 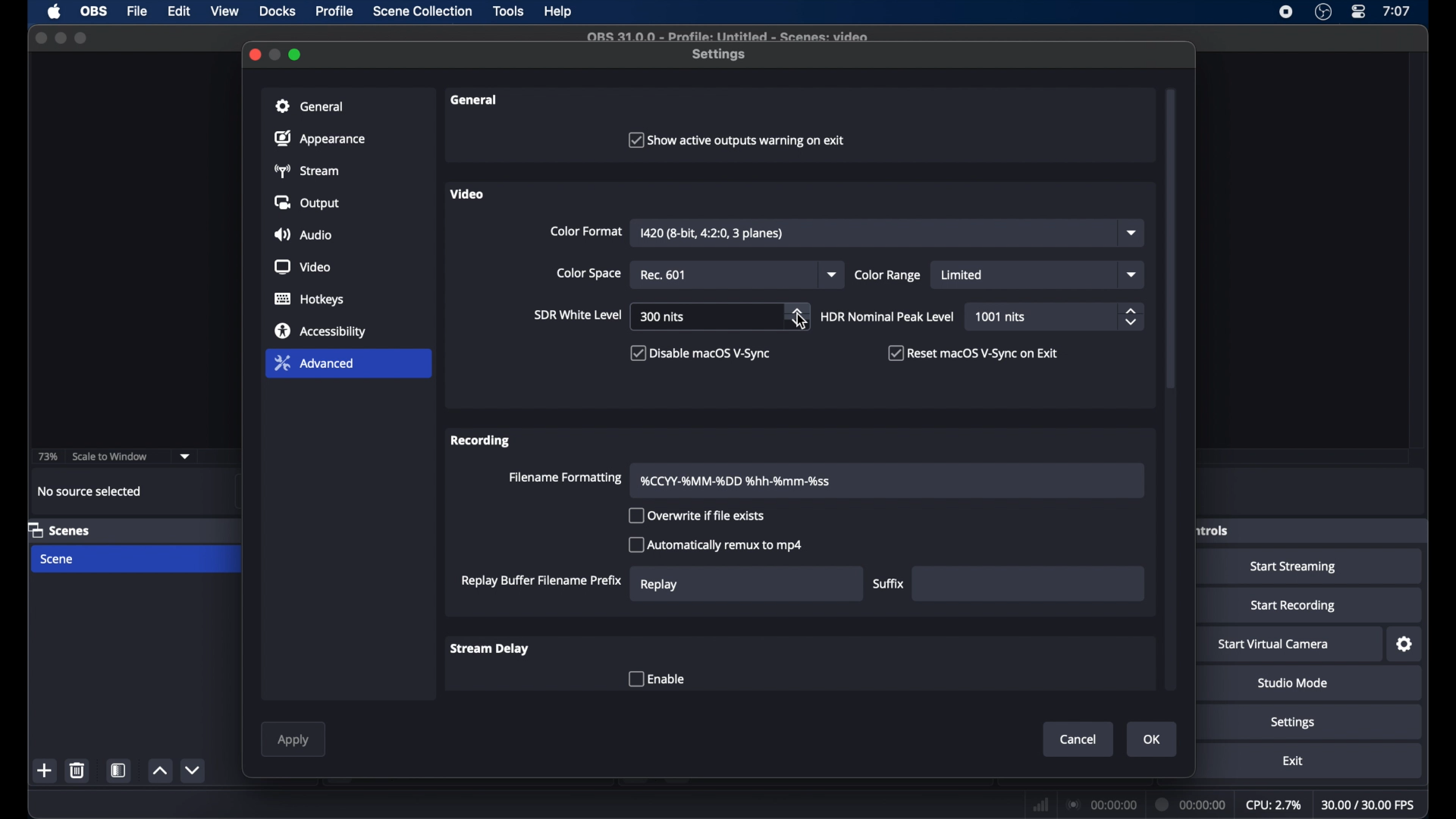 I want to click on exit, so click(x=1293, y=760).